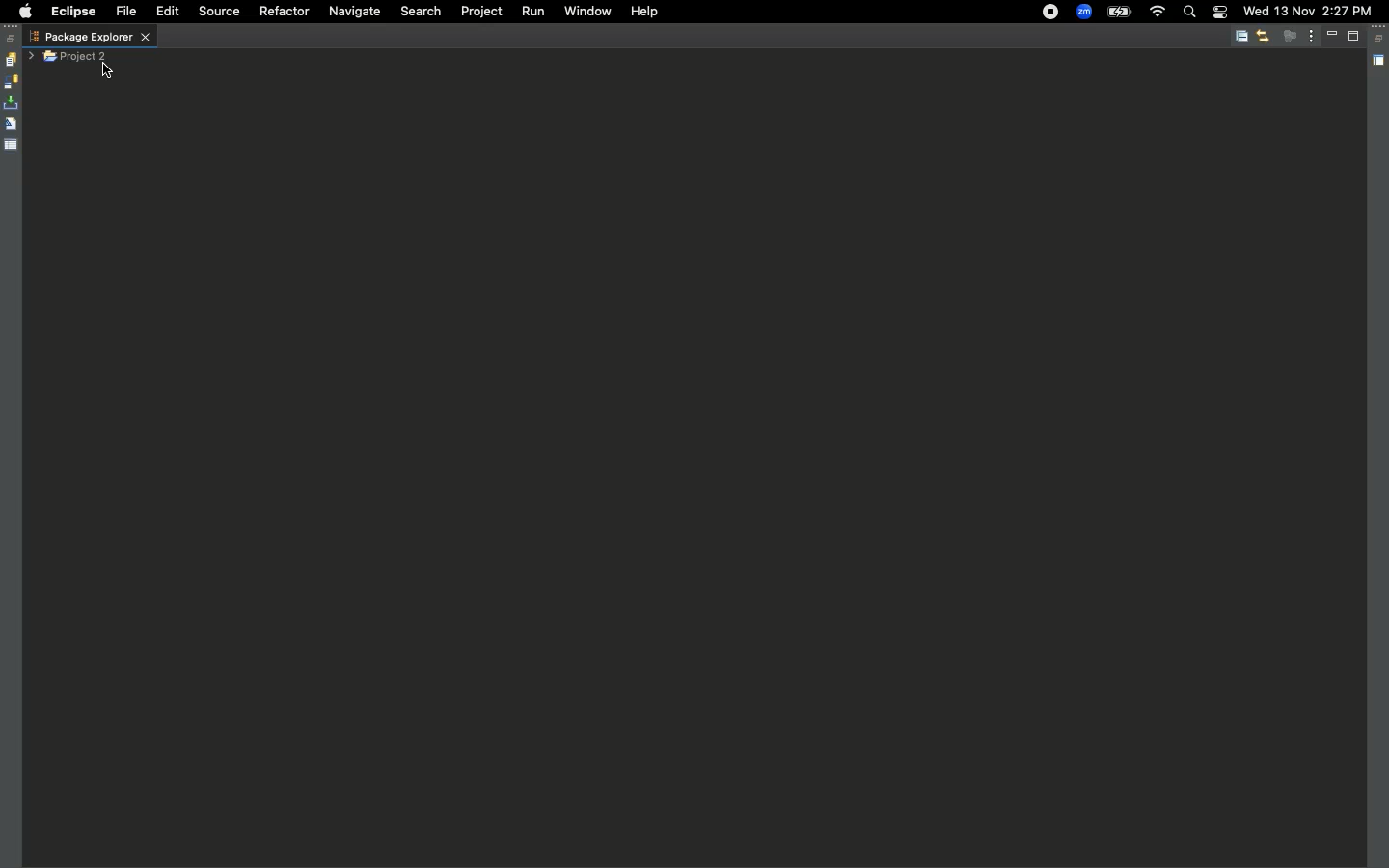  What do you see at coordinates (1380, 64) in the screenshot?
I see `Shared area` at bounding box center [1380, 64].